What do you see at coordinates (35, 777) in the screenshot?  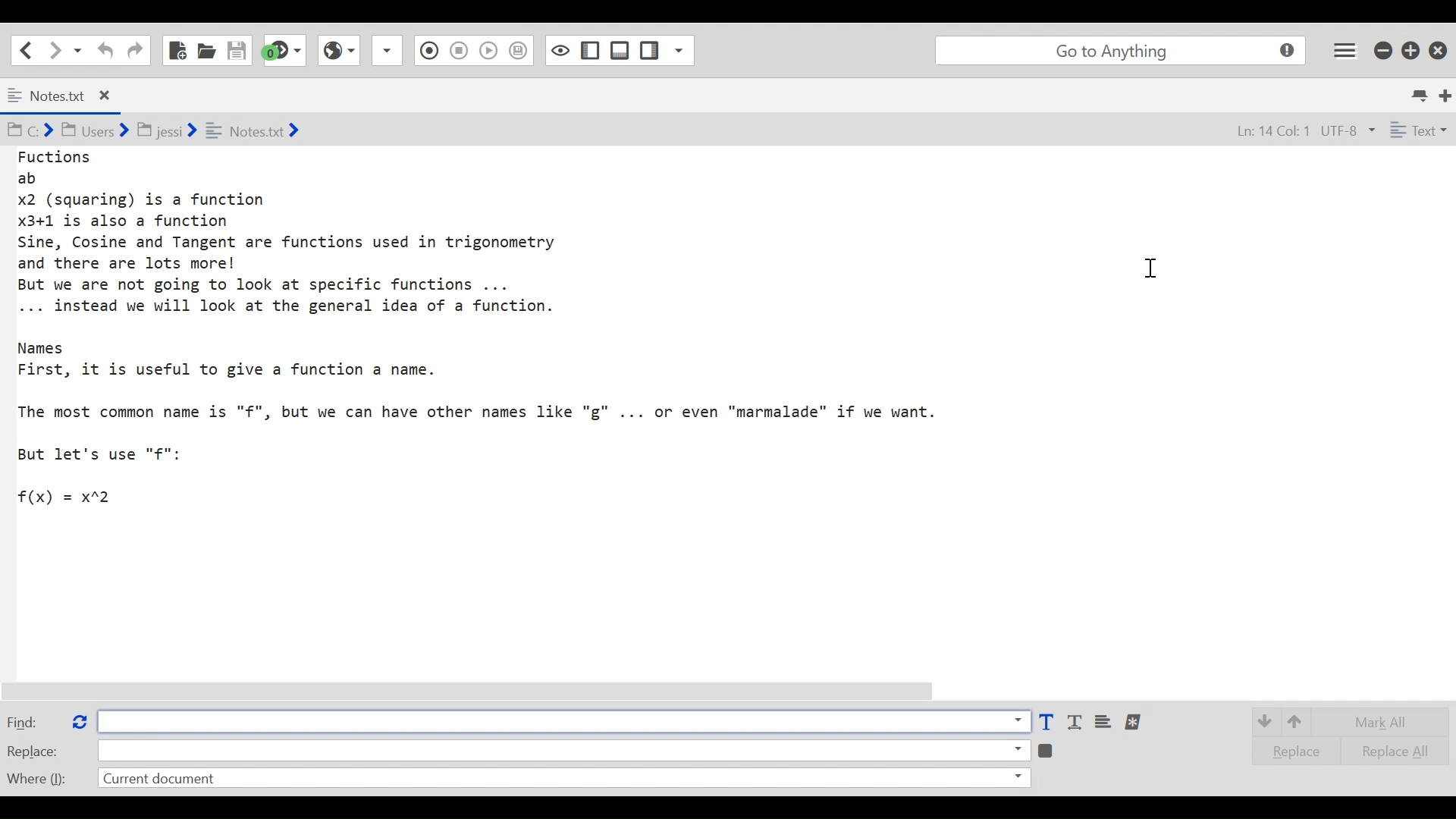 I see `Where` at bounding box center [35, 777].